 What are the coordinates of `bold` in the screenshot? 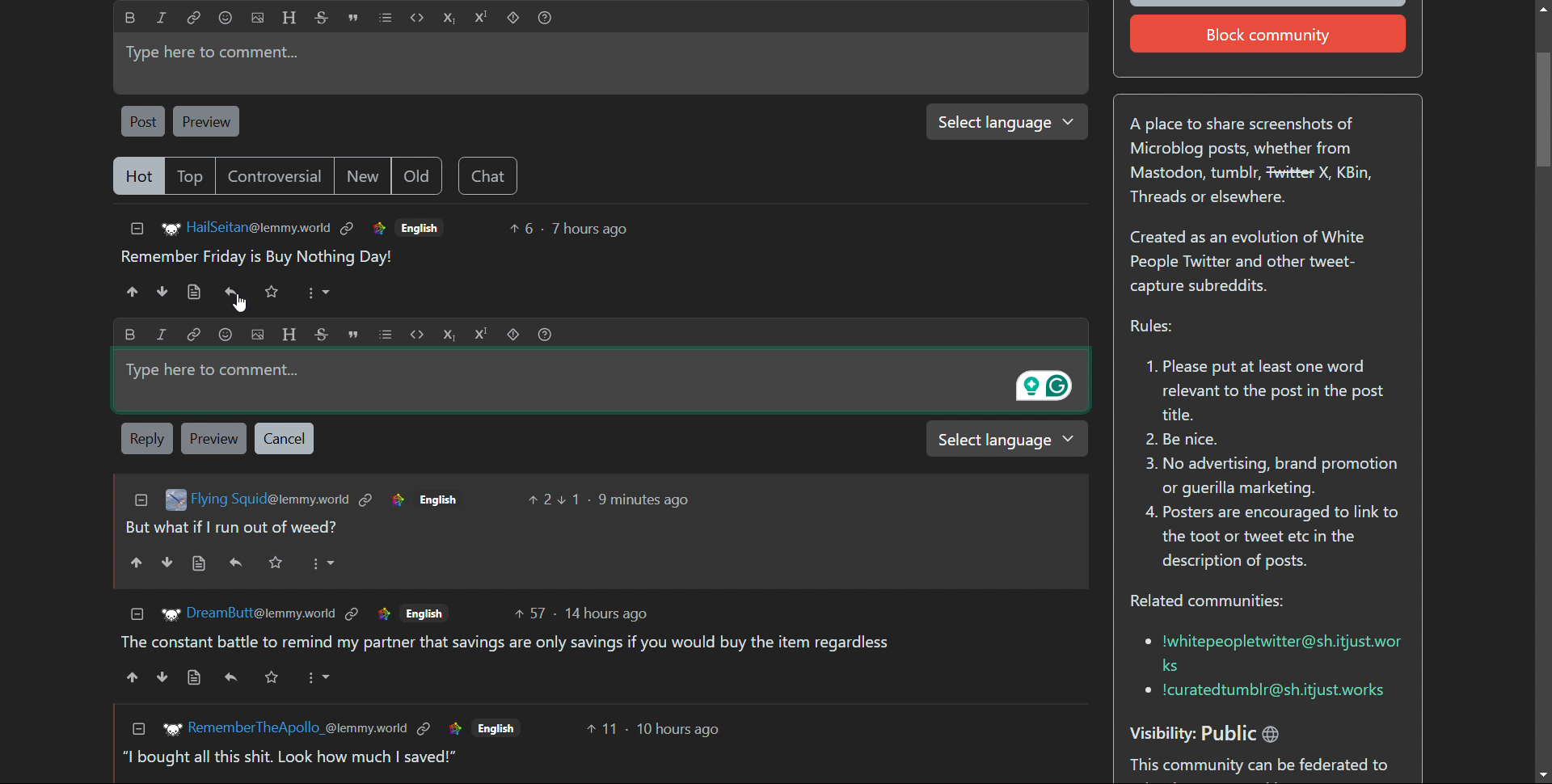 It's located at (131, 18).